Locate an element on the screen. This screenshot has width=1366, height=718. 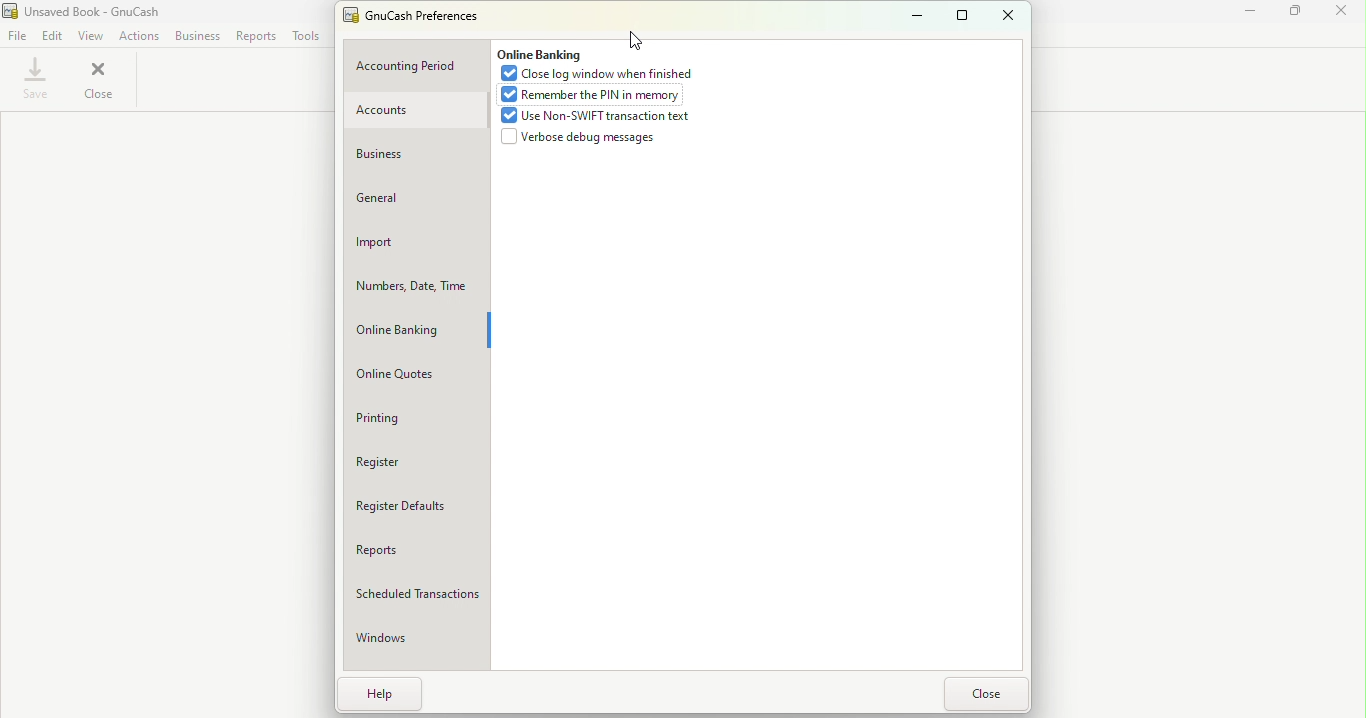
Windows is located at coordinates (400, 642).